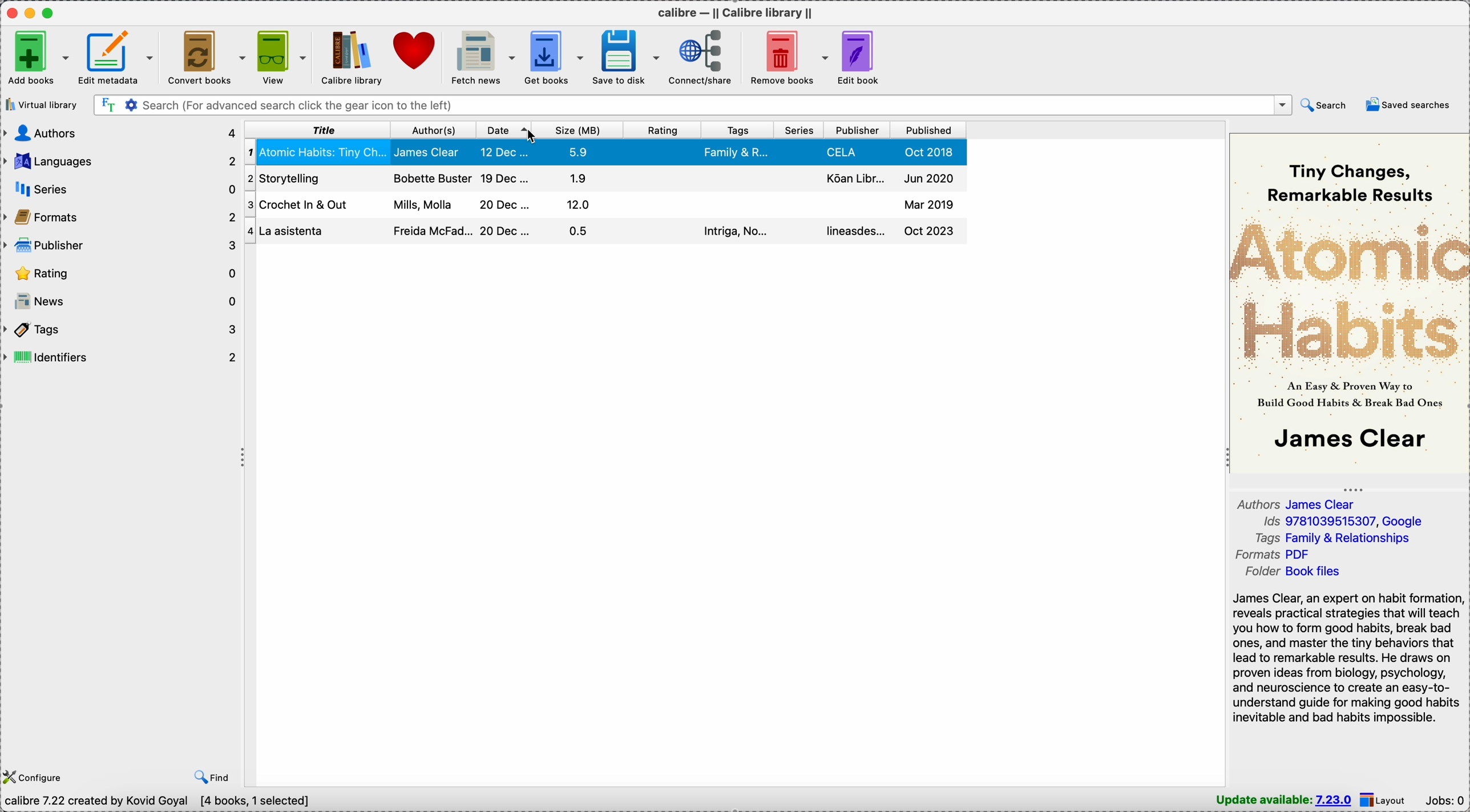 Image resolution: width=1470 pixels, height=812 pixels. Describe the element at coordinates (122, 303) in the screenshot. I see `news` at that location.